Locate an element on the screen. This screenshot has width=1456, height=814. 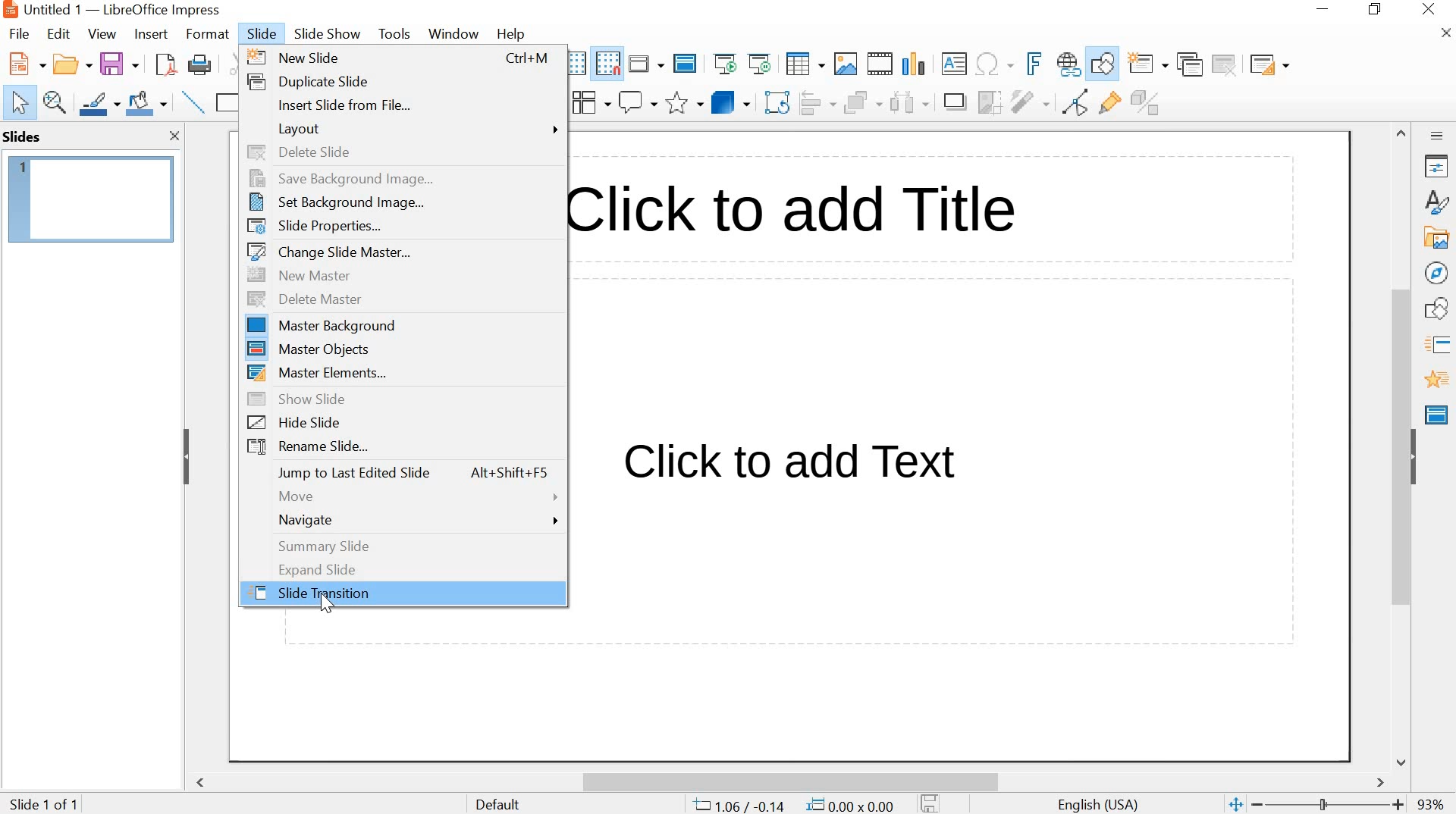
STYLES is located at coordinates (1438, 202).